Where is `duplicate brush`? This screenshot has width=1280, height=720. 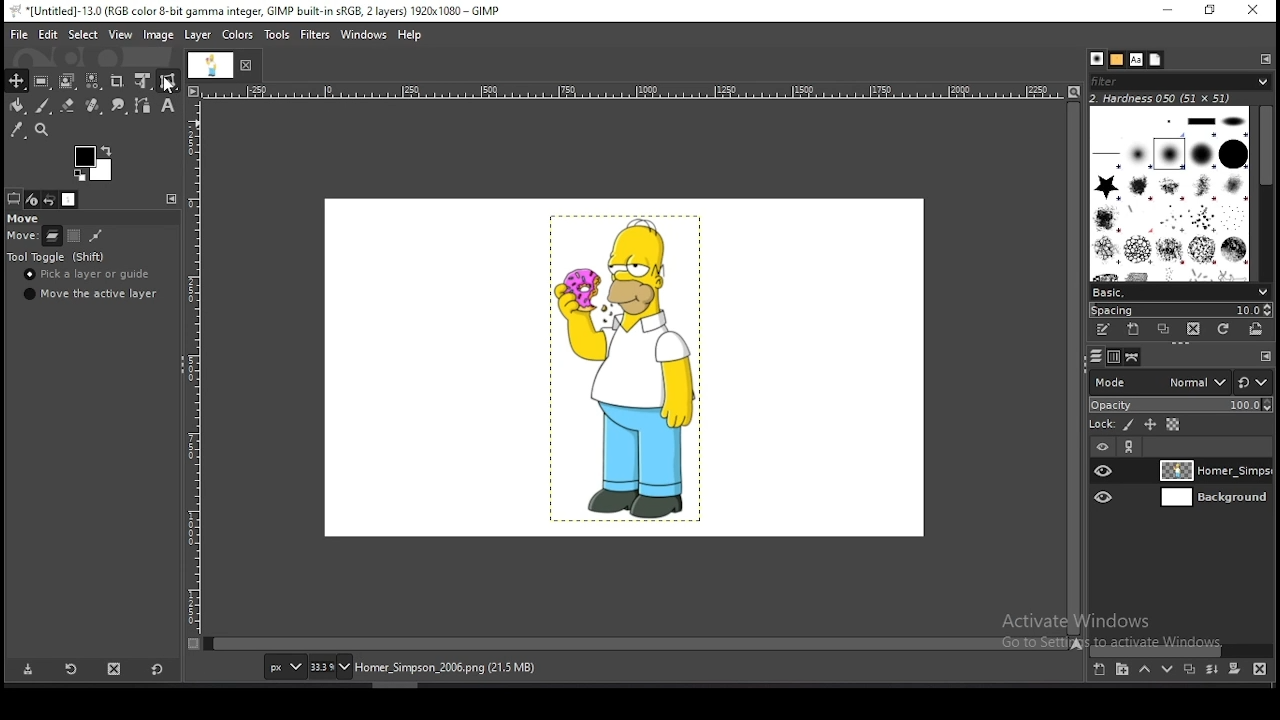 duplicate brush is located at coordinates (1168, 331).